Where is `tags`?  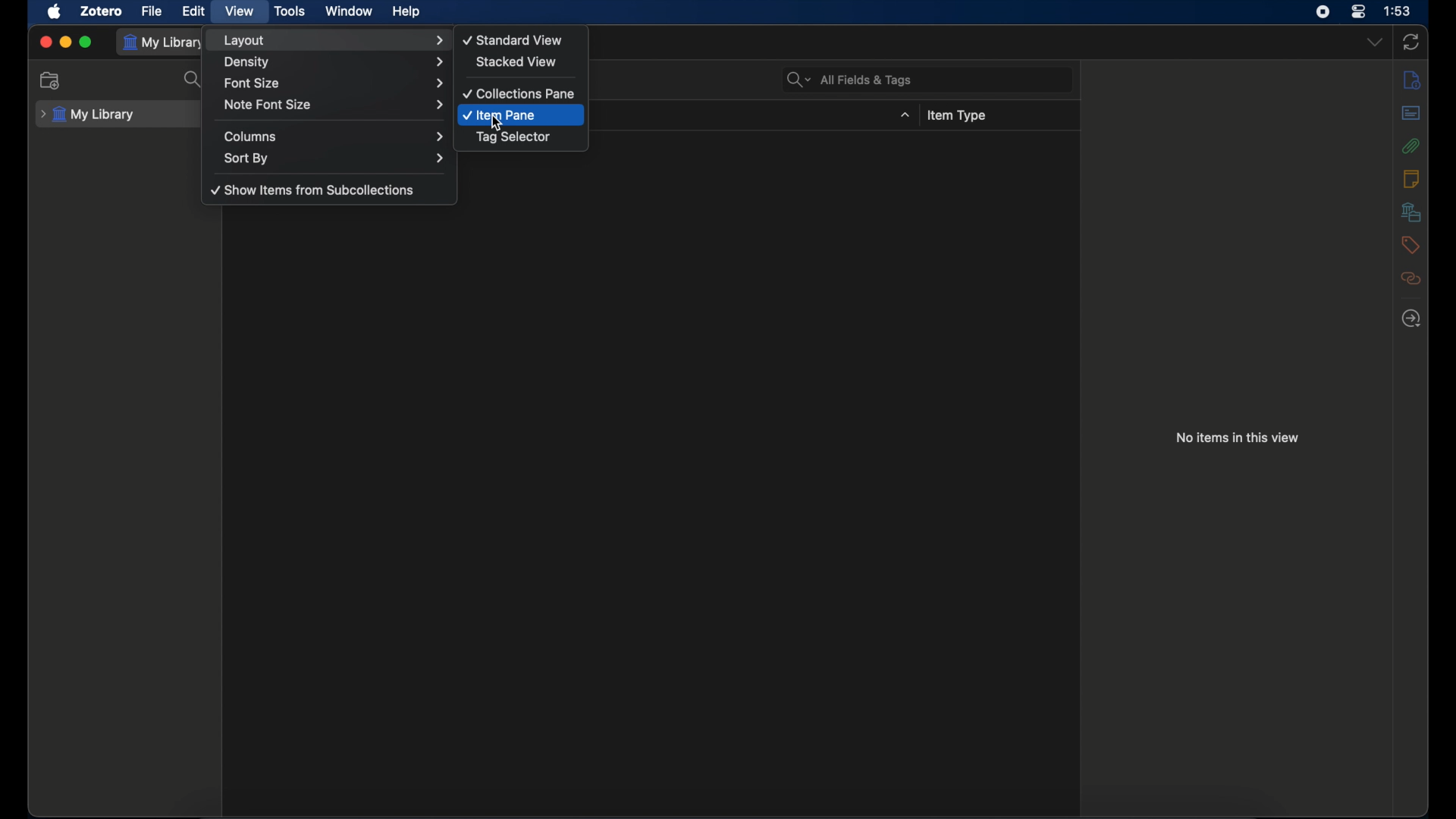 tags is located at coordinates (1410, 245).